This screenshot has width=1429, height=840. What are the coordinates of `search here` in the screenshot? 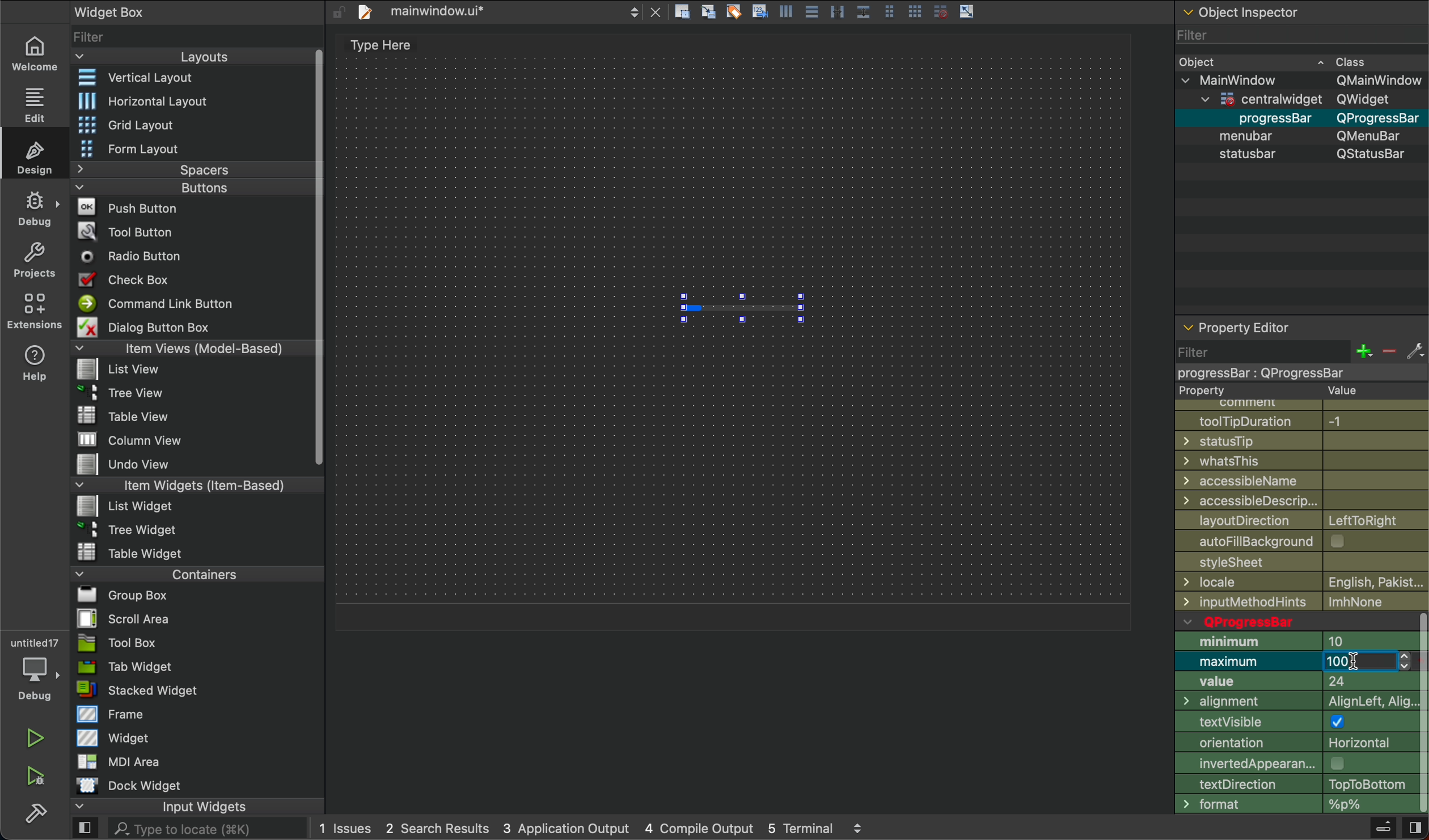 It's located at (206, 829).